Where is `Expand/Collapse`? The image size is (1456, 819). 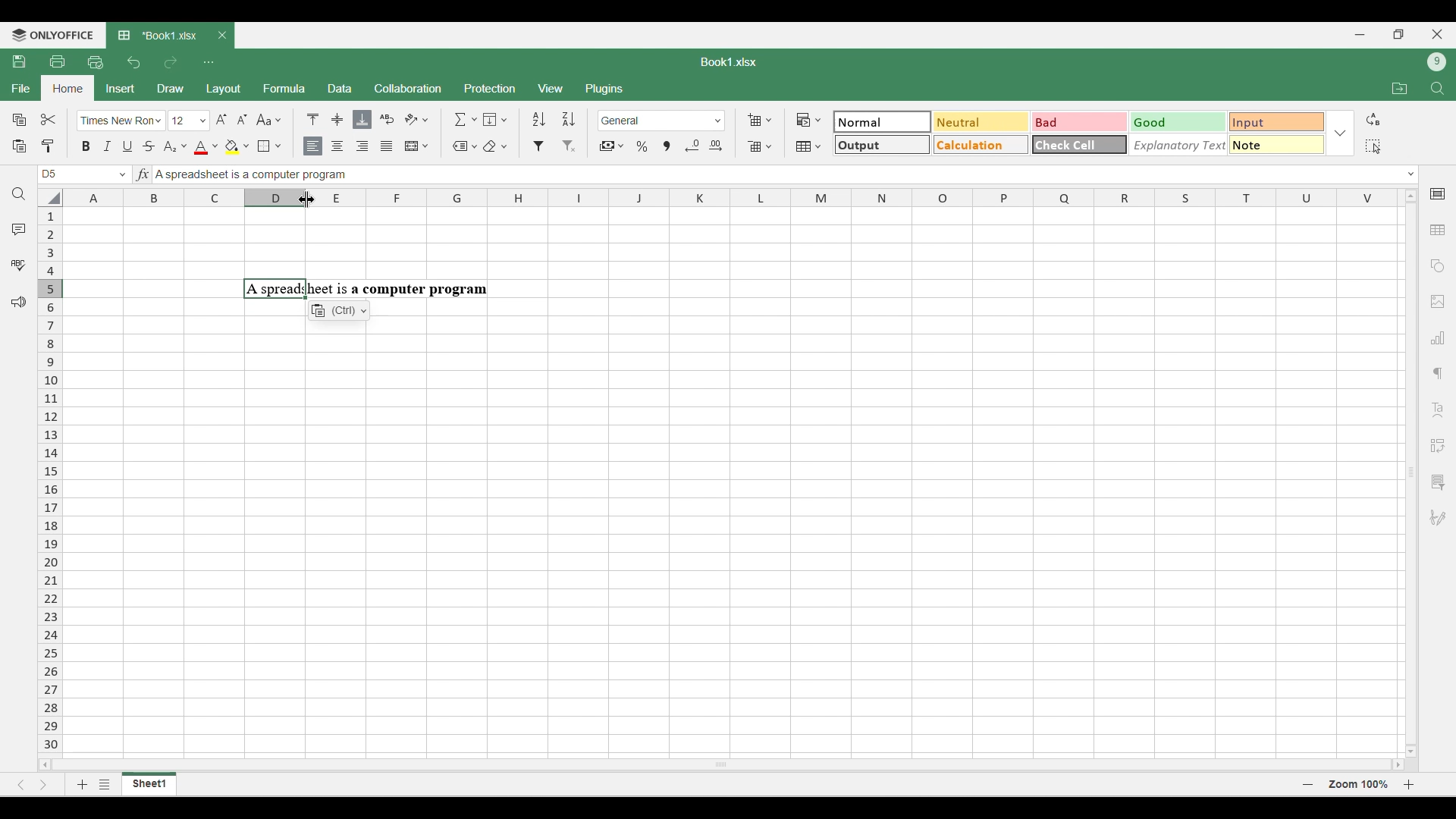 Expand/Collapse is located at coordinates (1340, 133).